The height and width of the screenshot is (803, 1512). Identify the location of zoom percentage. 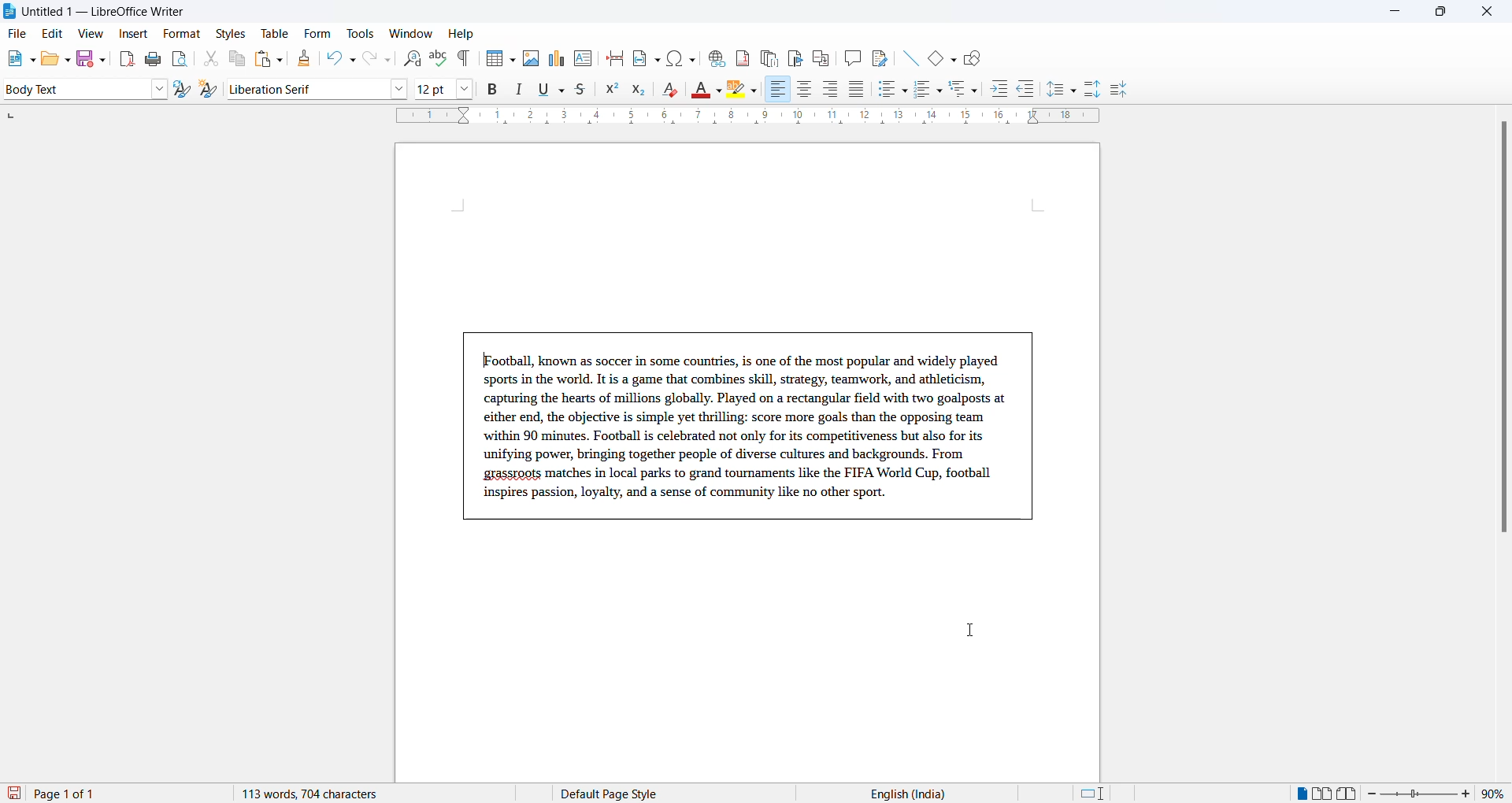
(1496, 792).